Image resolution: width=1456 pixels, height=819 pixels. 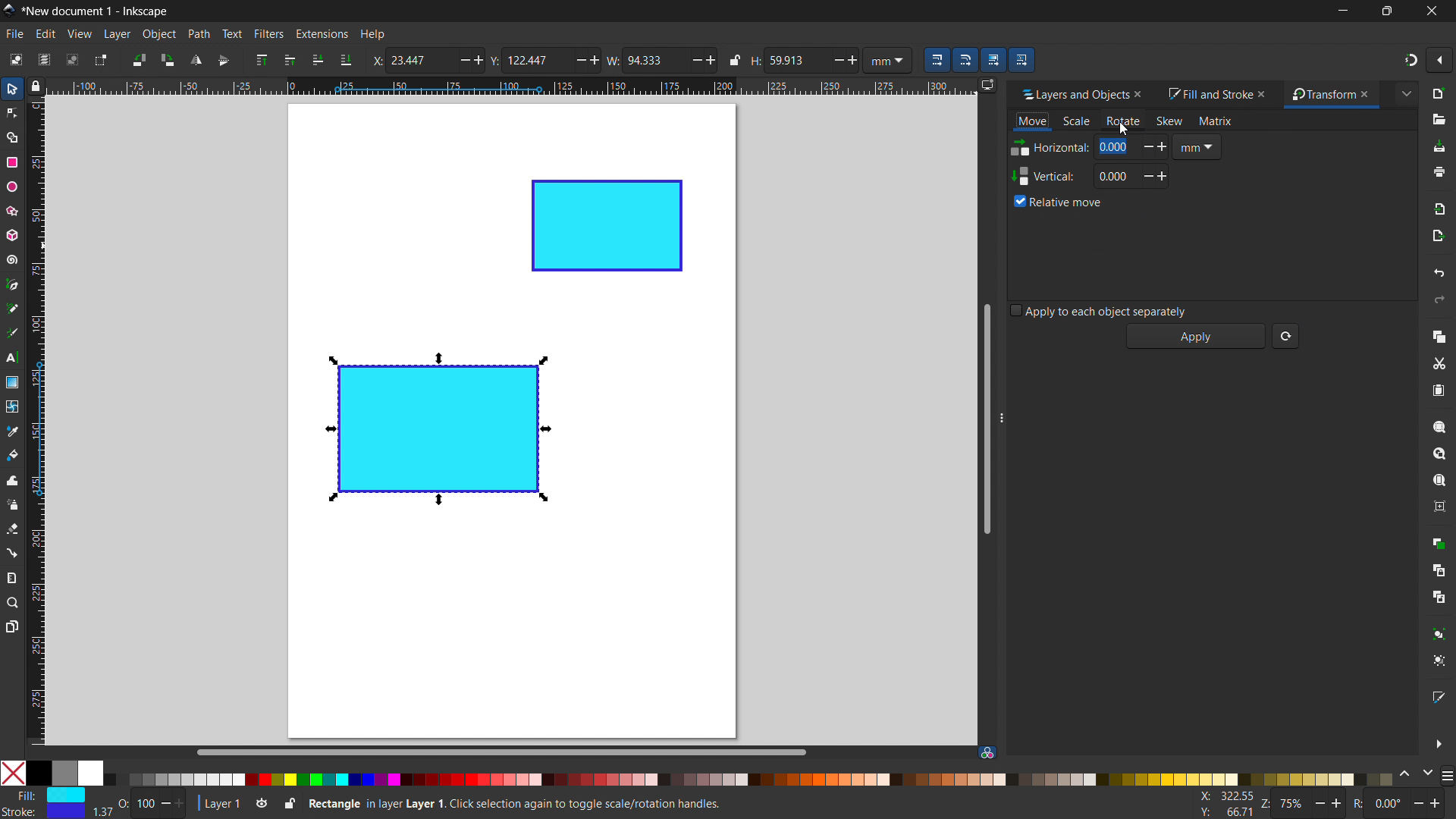 I want to click on pencil tool, so click(x=11, y=308).